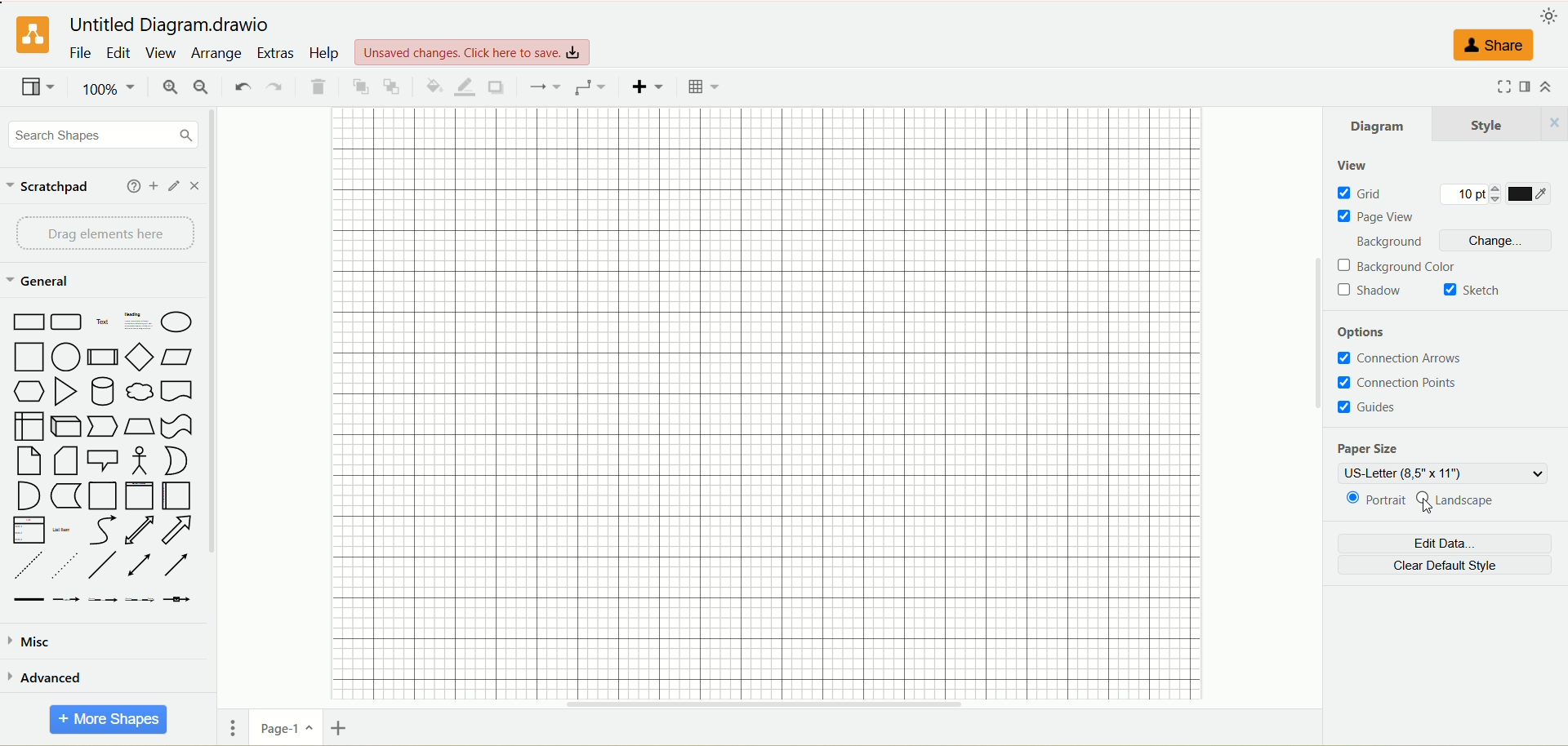 This screenshot has height=746, width=1568. Describe the element at coordinates (771, 701) in the screenshot. I see `horizontal scroll bar` at that location.